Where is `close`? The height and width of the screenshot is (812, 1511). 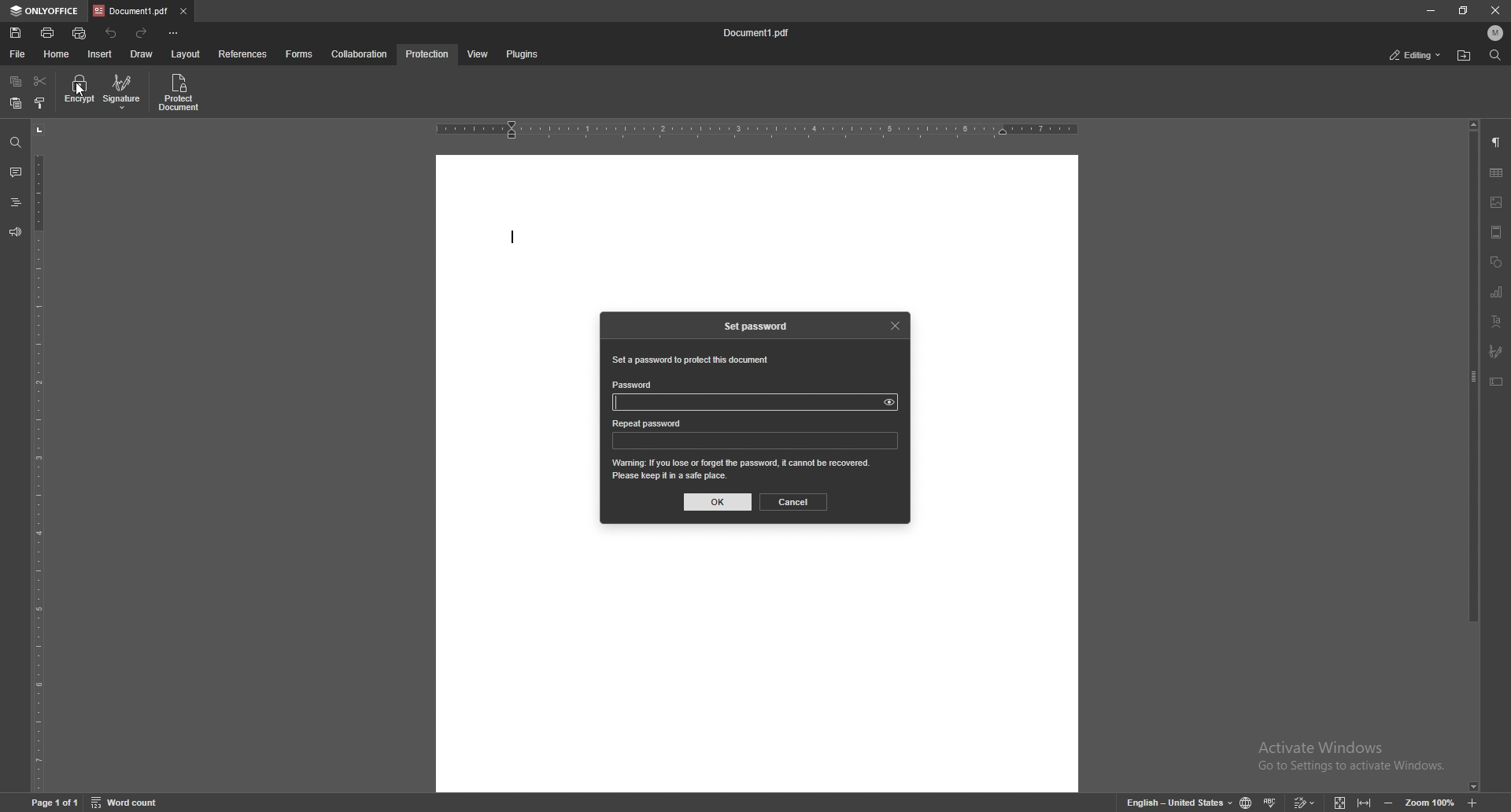 close is located at coordinates (895, 324).